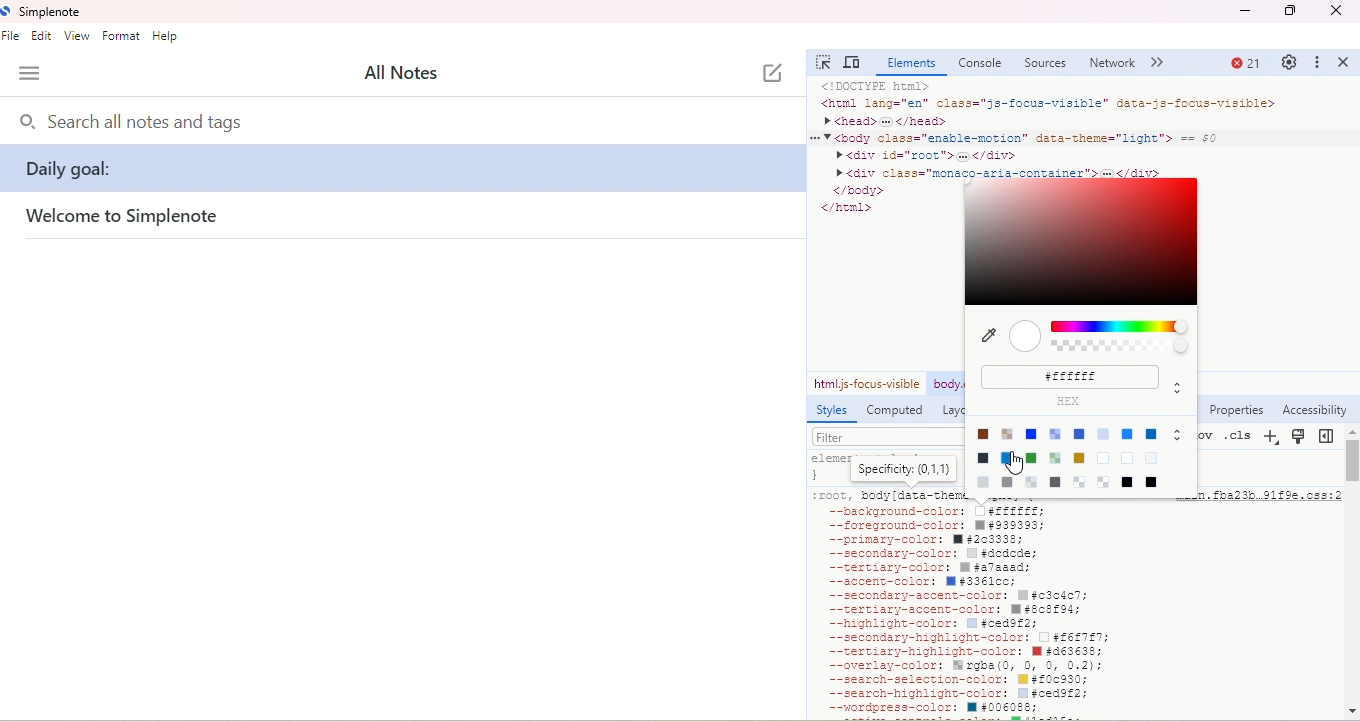 This screenshot has width=1360, height=722. What do you see at coordinates (920, 583) in the screenshot?
I see `accent color` at bounding box center [920, 583].